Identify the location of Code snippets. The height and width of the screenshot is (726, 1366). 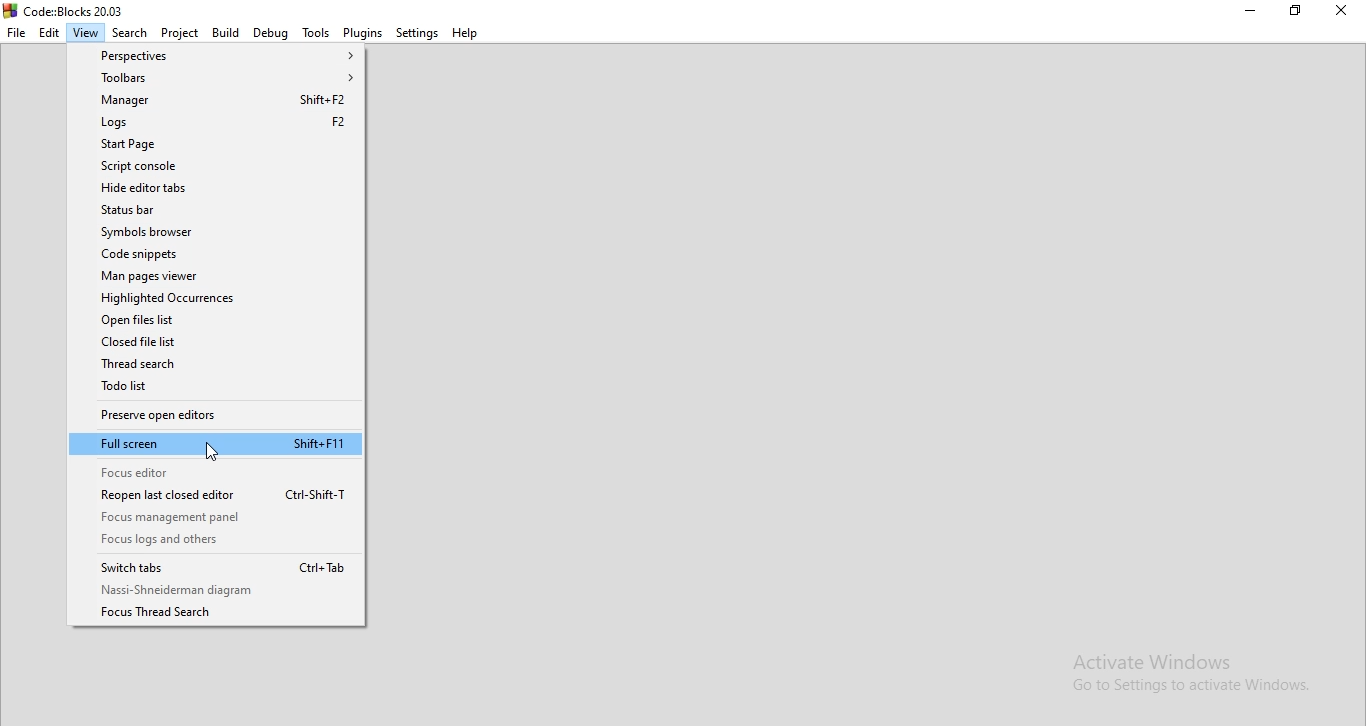
(213, 254).